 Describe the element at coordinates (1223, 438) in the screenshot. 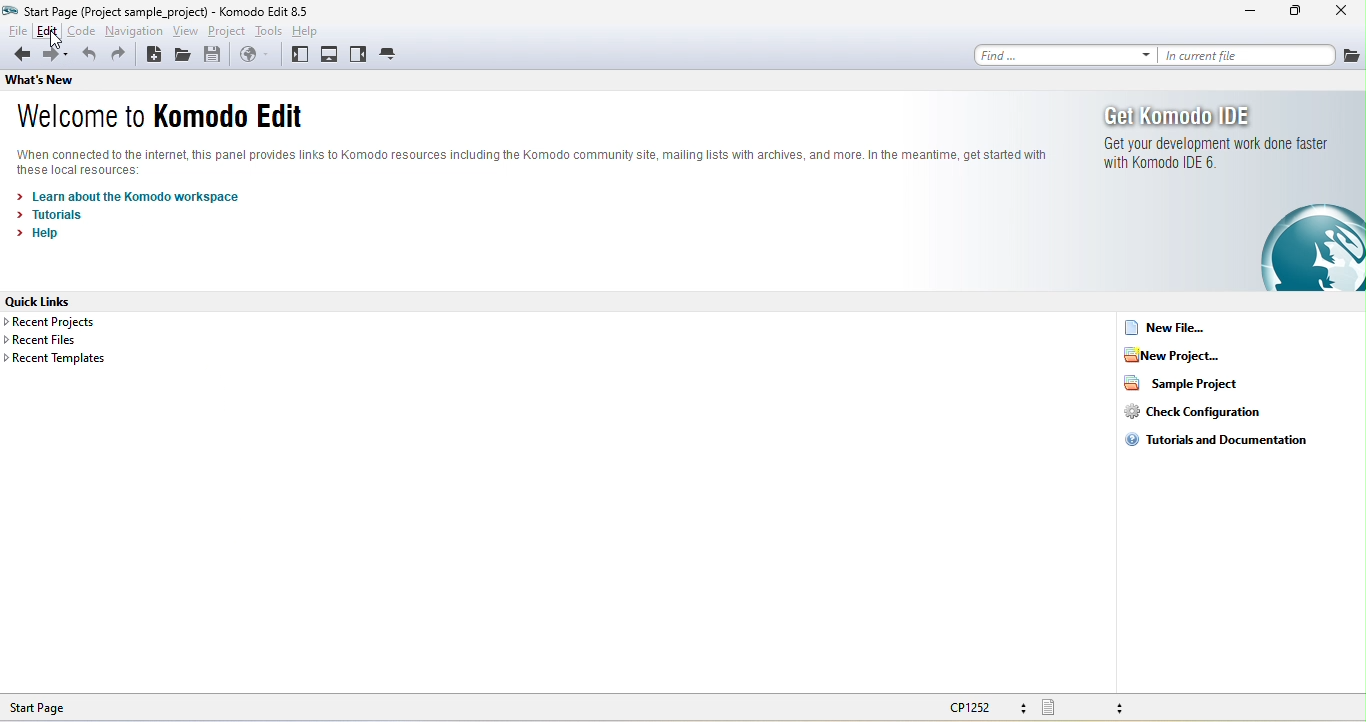

I see `tutorials and documentation` at that location.